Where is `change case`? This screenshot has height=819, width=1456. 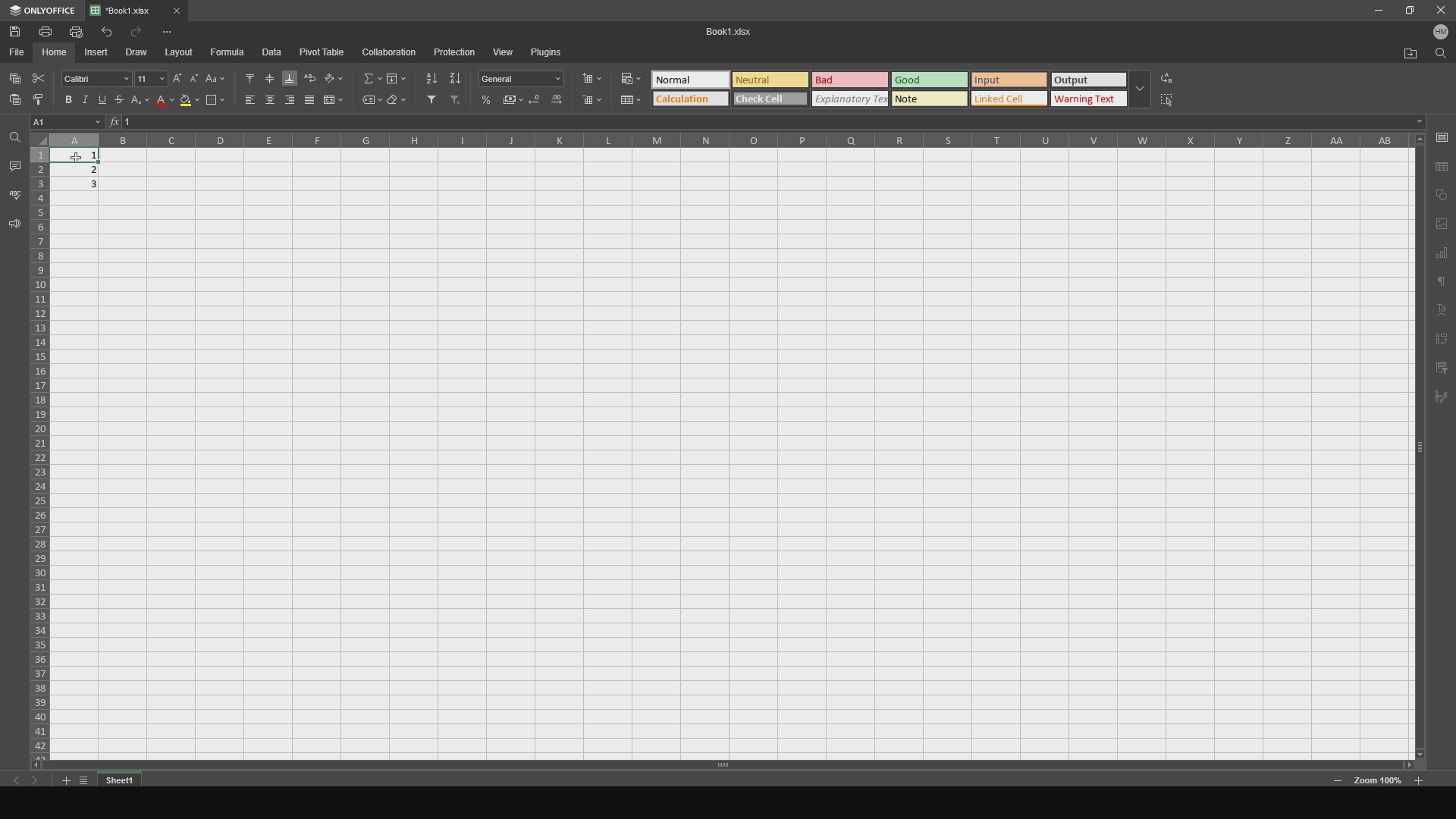
change case is located at coordinates (215, 77).